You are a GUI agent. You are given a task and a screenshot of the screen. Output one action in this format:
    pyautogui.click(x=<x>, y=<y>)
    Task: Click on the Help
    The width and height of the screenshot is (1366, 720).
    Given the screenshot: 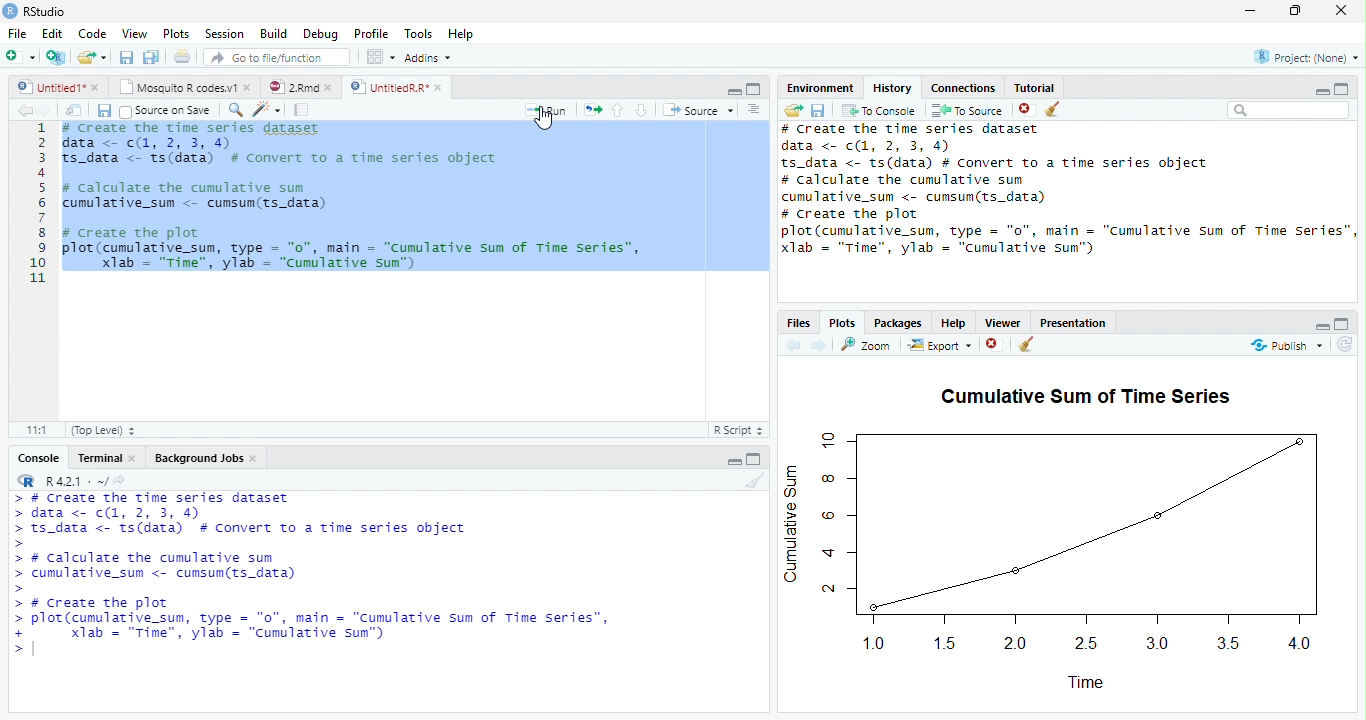 What is the action you would take?
    pyautogui.click(x=462, y=36)
    